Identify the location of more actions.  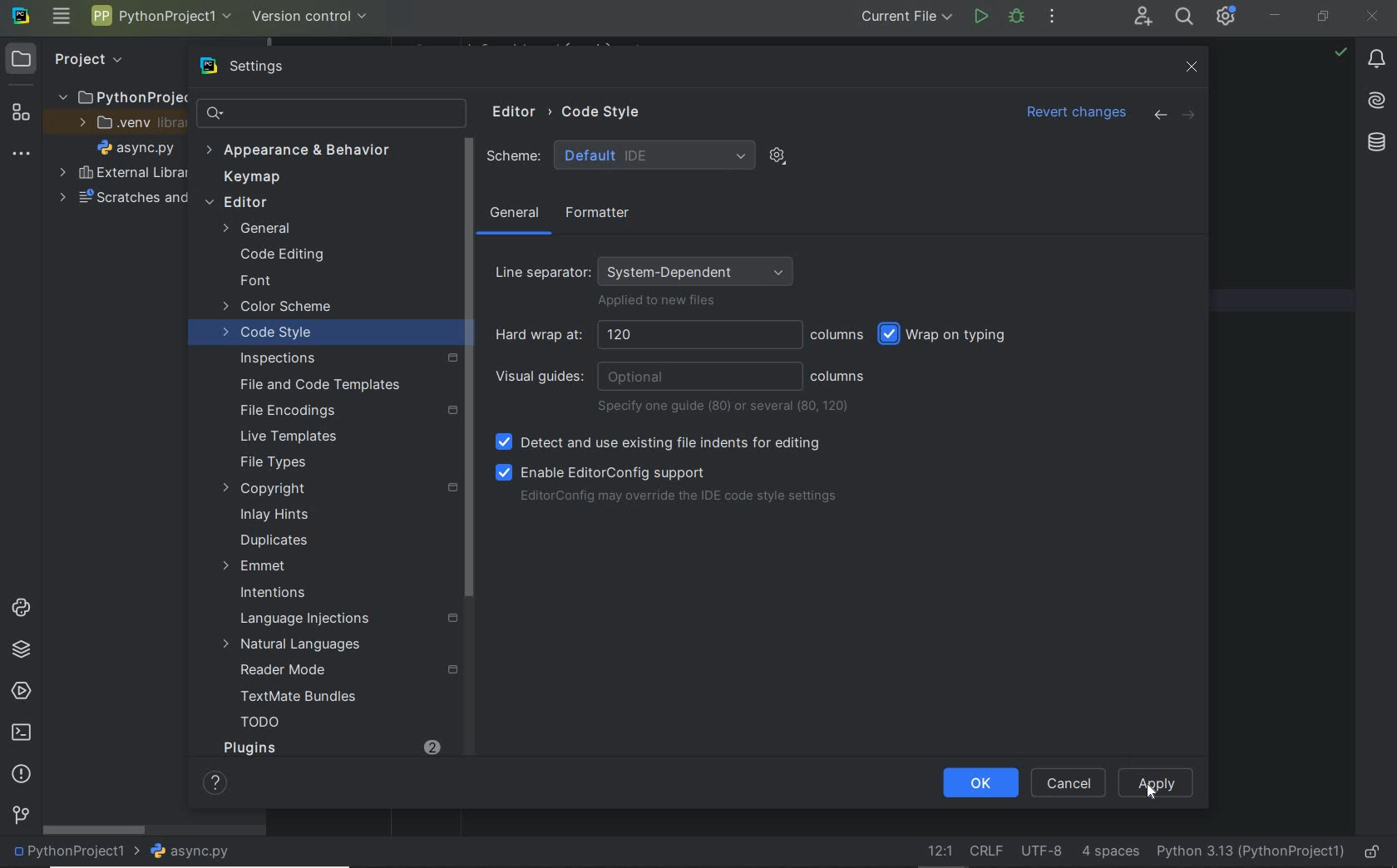
(1053, 18).